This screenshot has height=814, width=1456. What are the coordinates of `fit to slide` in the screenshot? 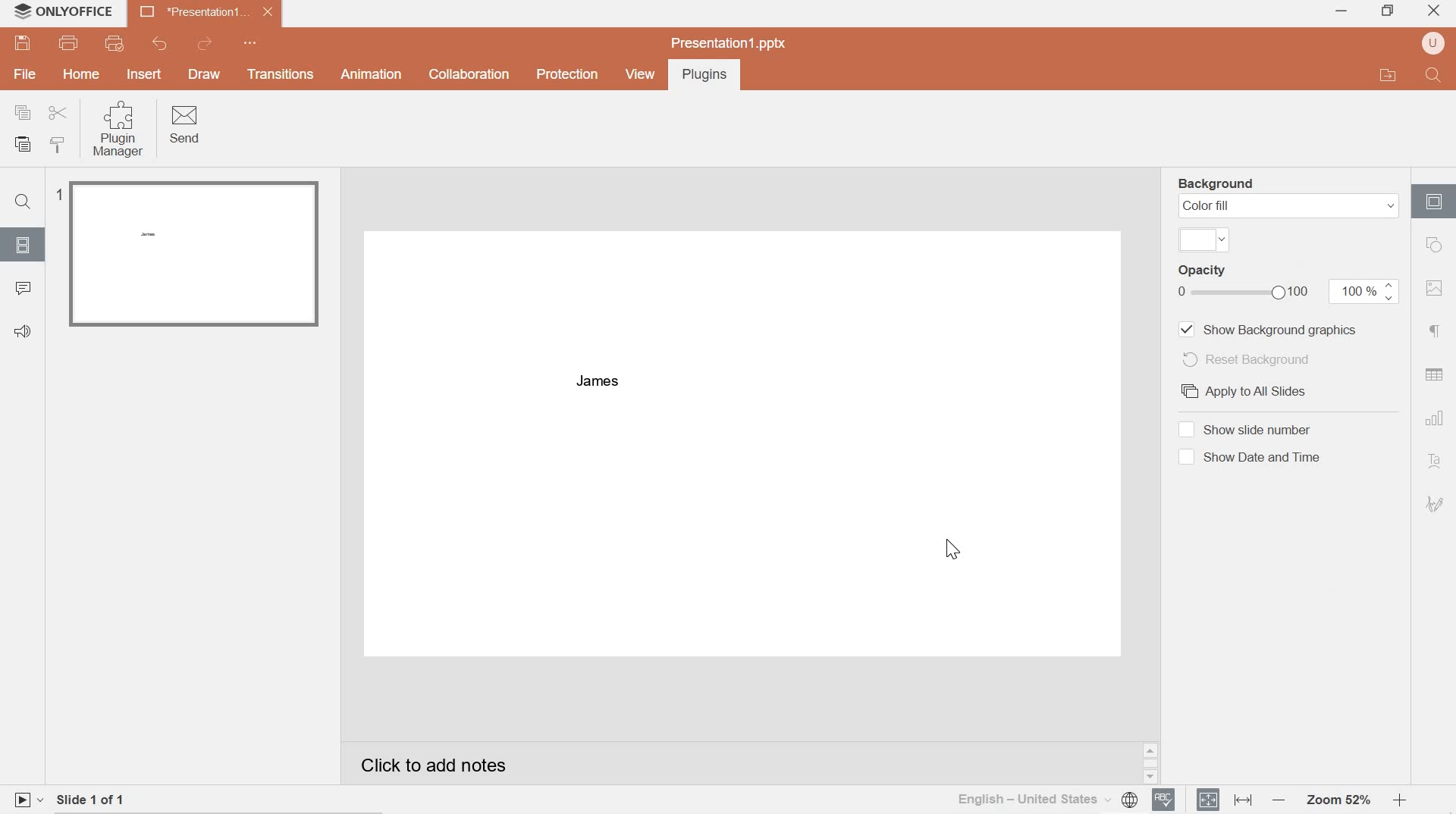 It's located at (1208, 800).